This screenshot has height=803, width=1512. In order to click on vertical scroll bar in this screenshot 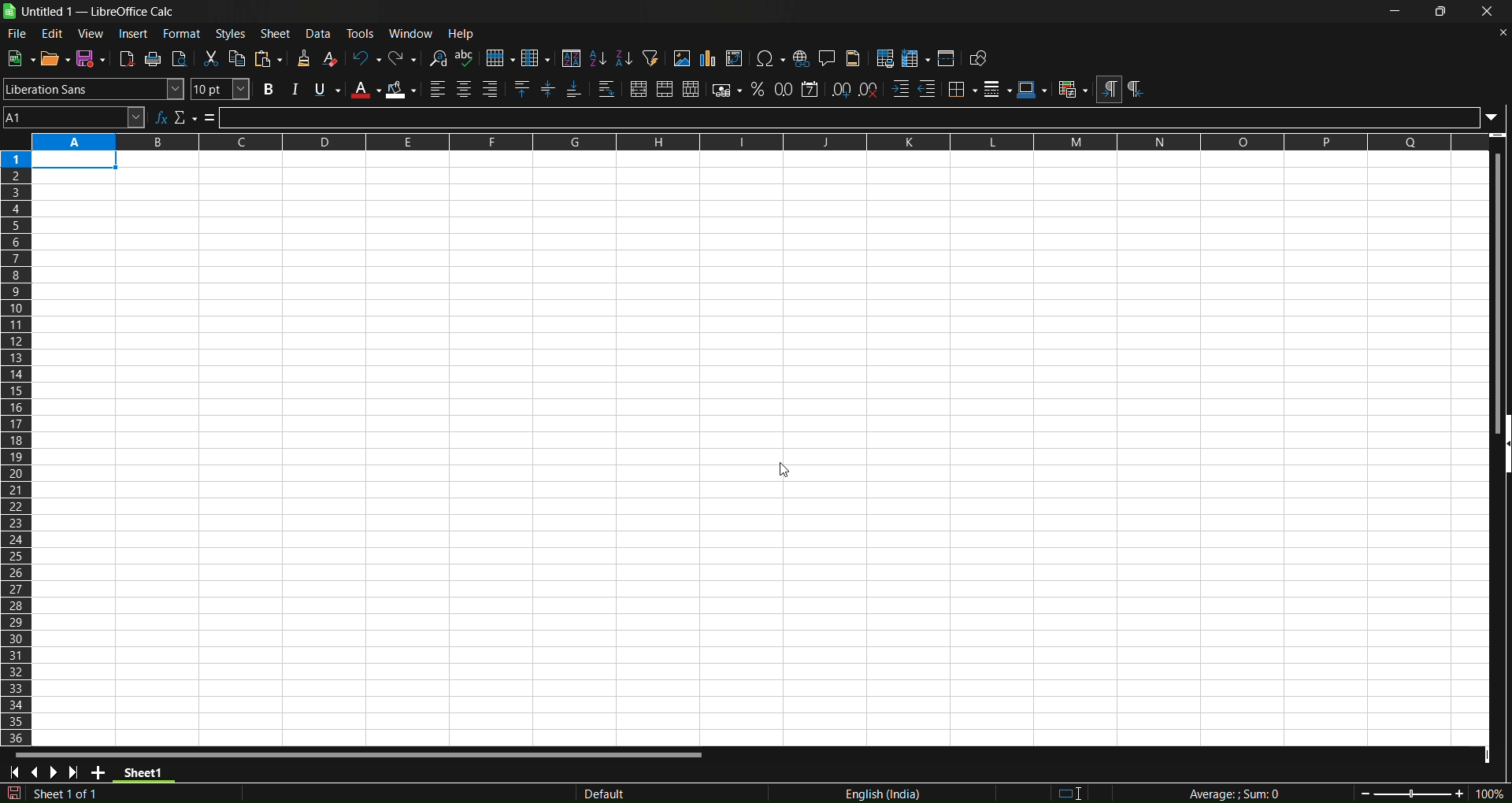, I will do `click(1495, 283)`.